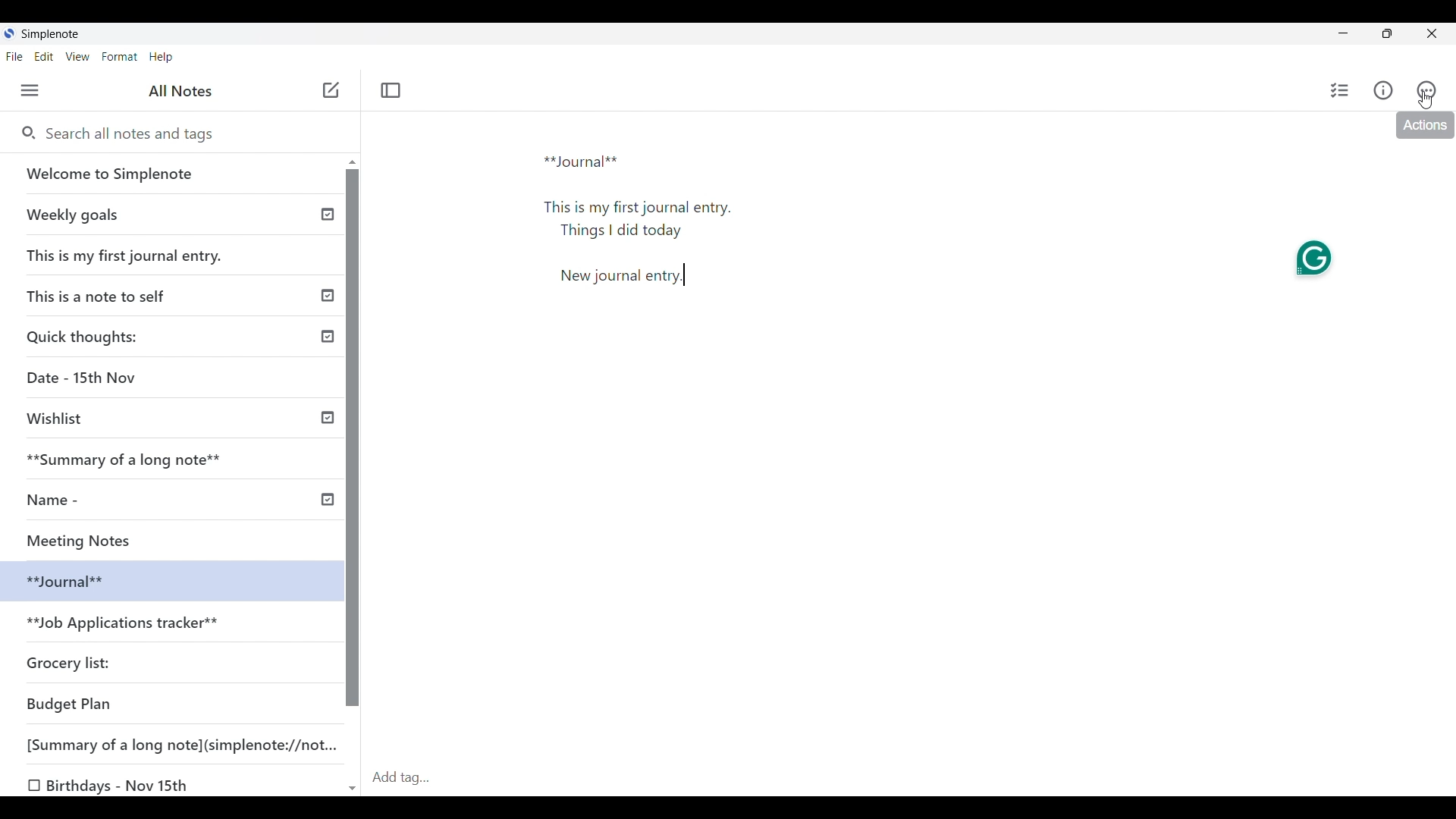 Image resolution: width=1456 pixels, height=819 pixels. Describe the element at coordinates (126, 255) in the screenshot. I see `This is my first journal entry.` at that location.